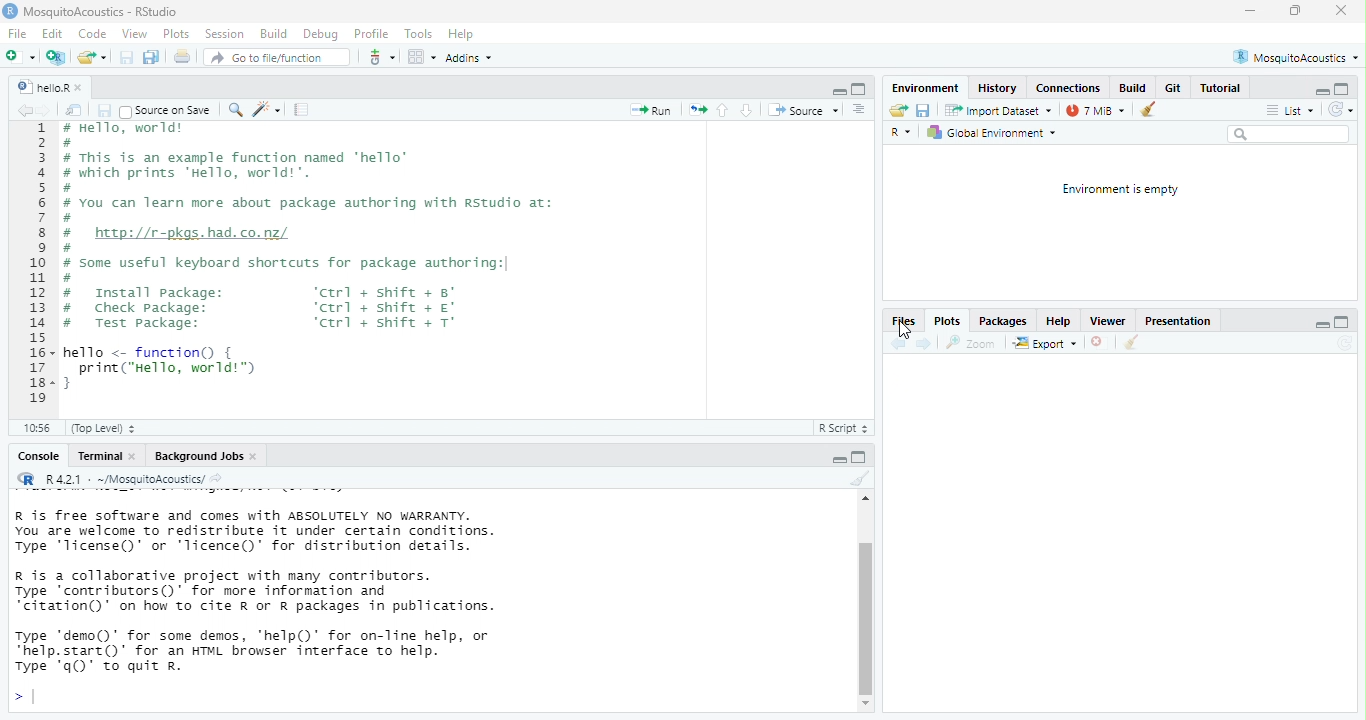  I want to click on new file, so click(23, 56).